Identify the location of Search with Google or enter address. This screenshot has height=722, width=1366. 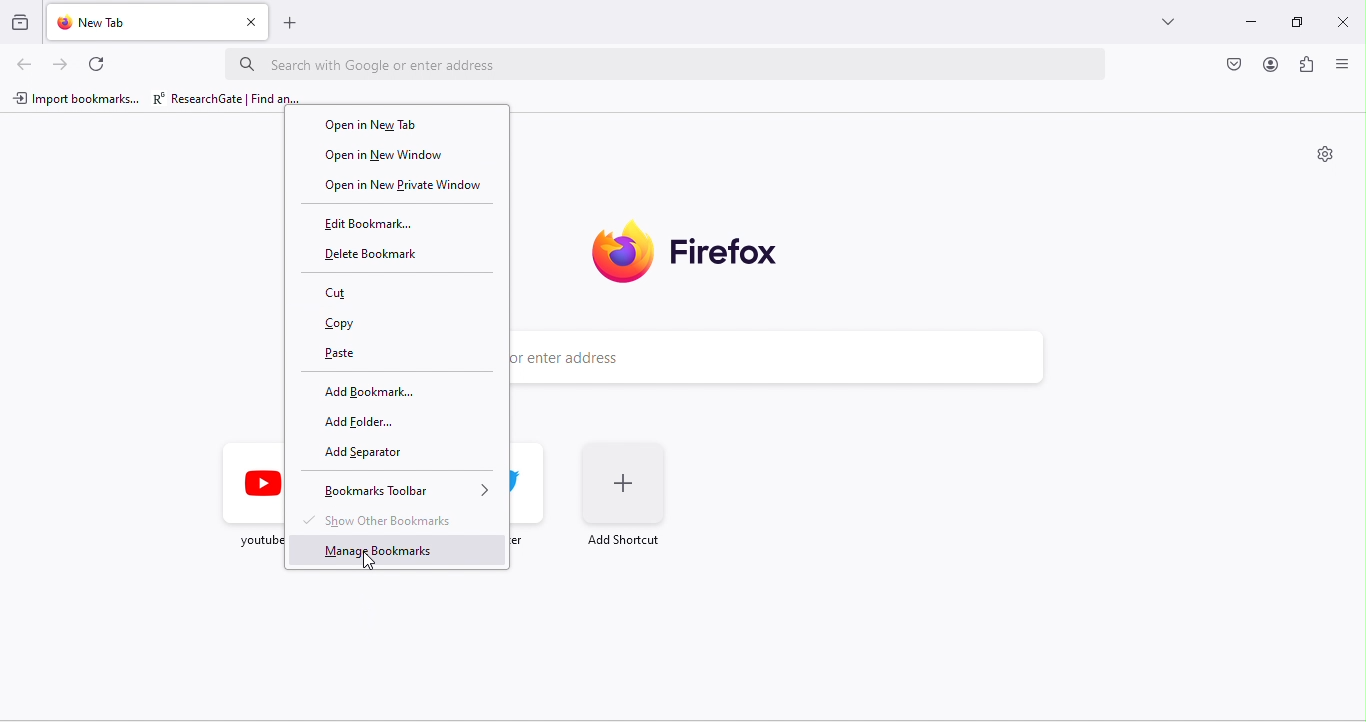
(668, 64).